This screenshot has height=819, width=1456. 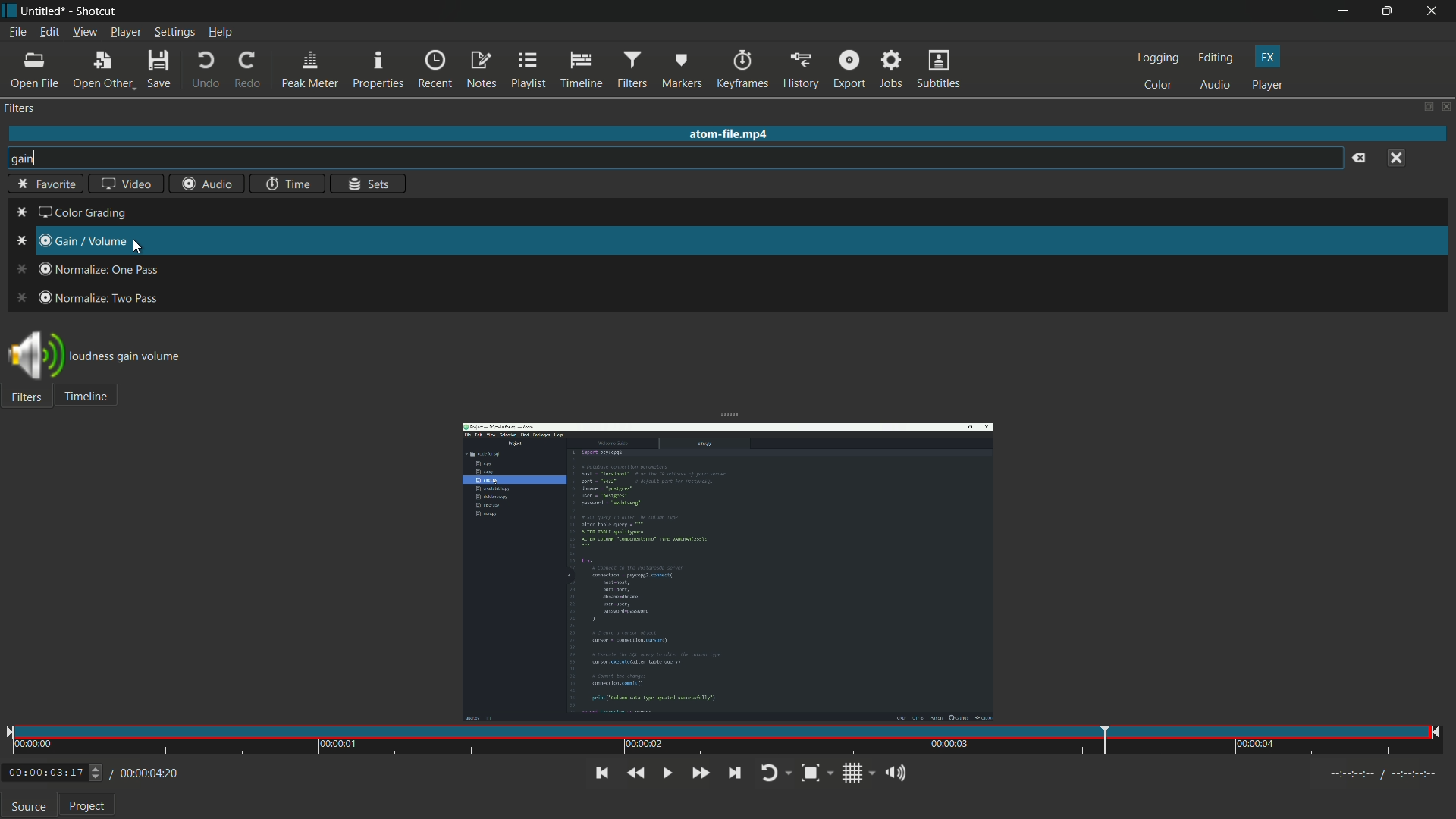 I want to click on Untitled (file name), so click(x=44, y=11).